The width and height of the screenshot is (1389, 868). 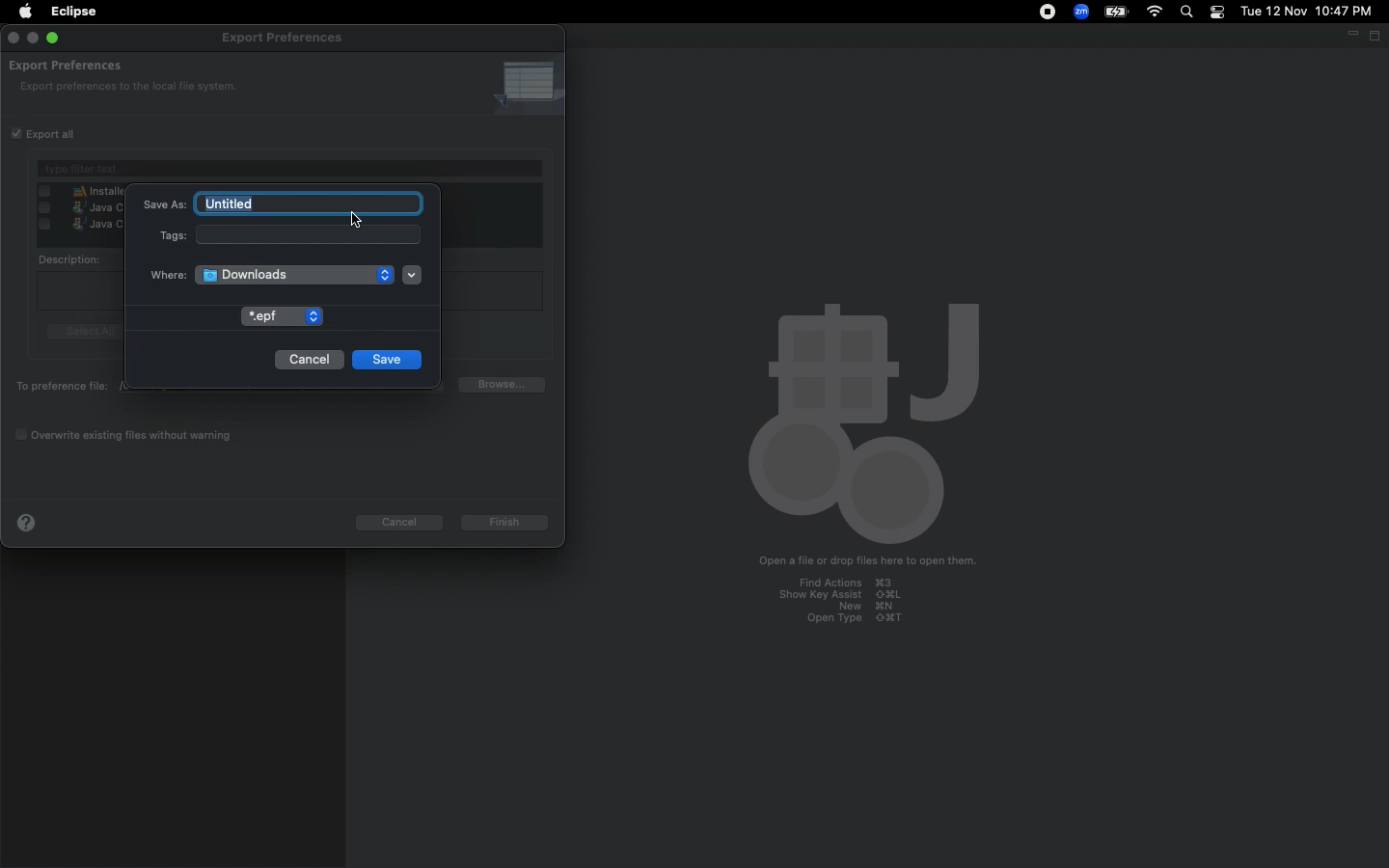 What do you see at coordinates (1080, 12) in the screenshot?
I see `Zoom` at bounding box center [1080, 12].